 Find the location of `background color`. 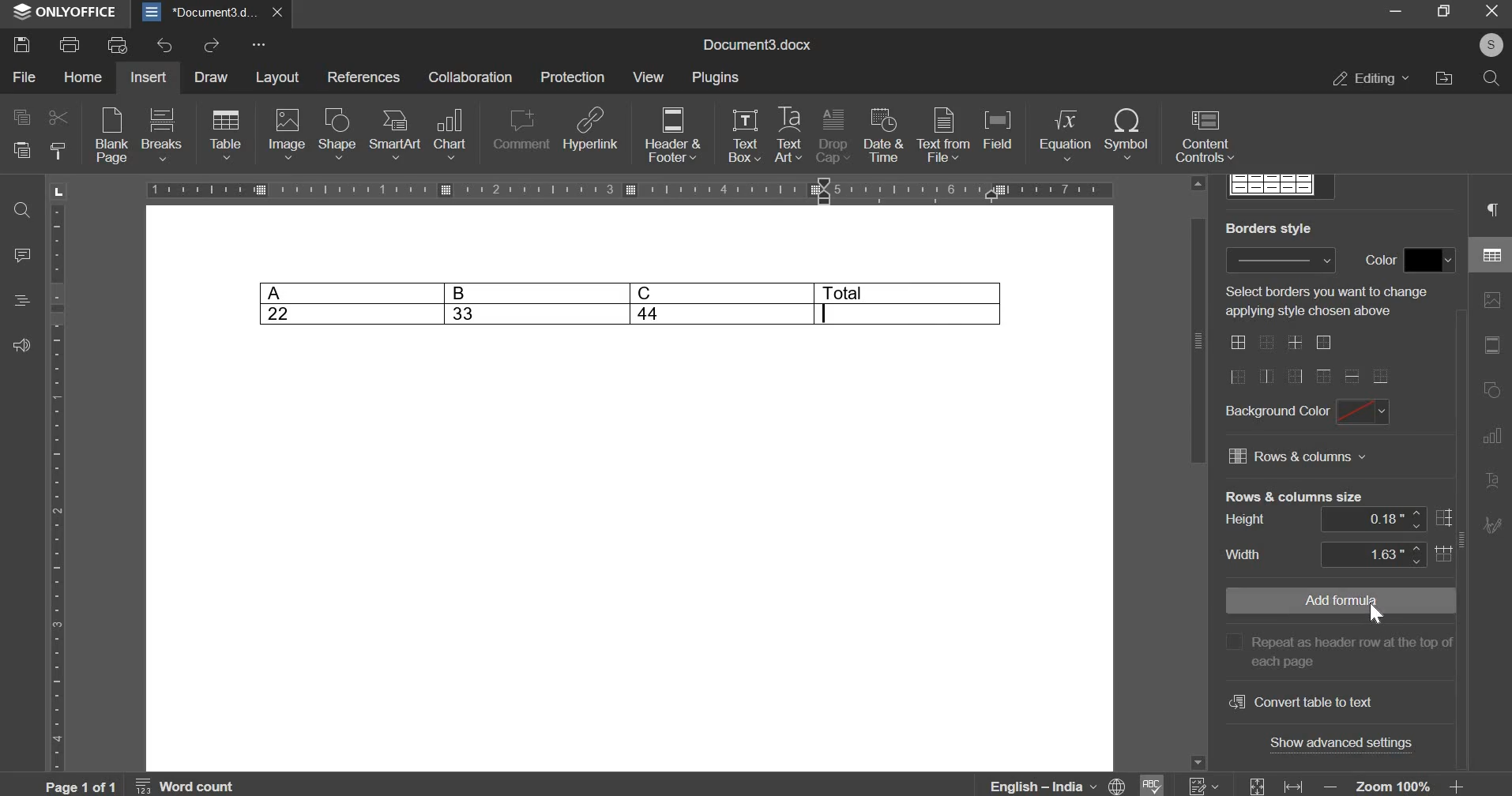

background color is located at coordinates (1276, 413).